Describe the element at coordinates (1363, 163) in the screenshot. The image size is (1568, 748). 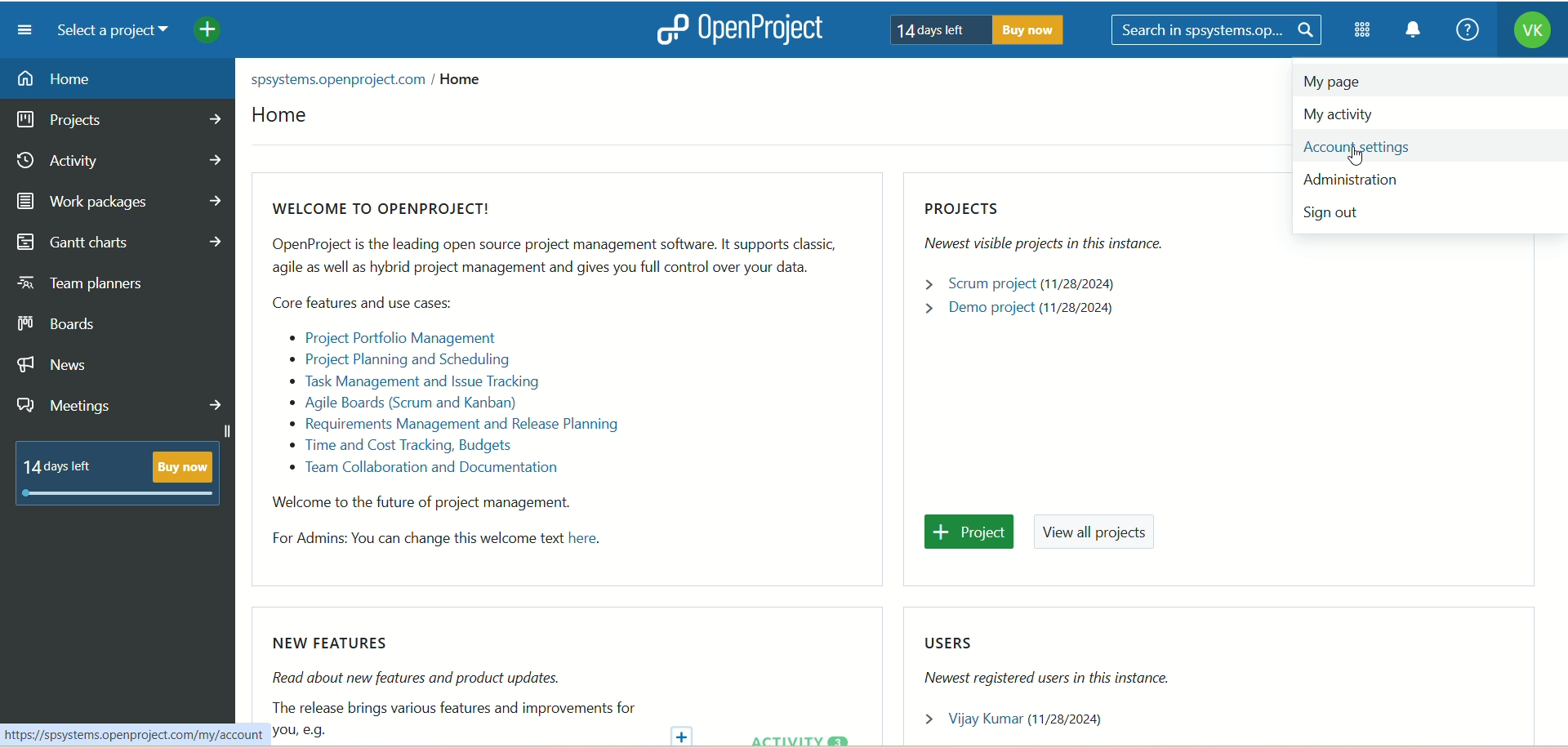
I see `cursor` at that location.